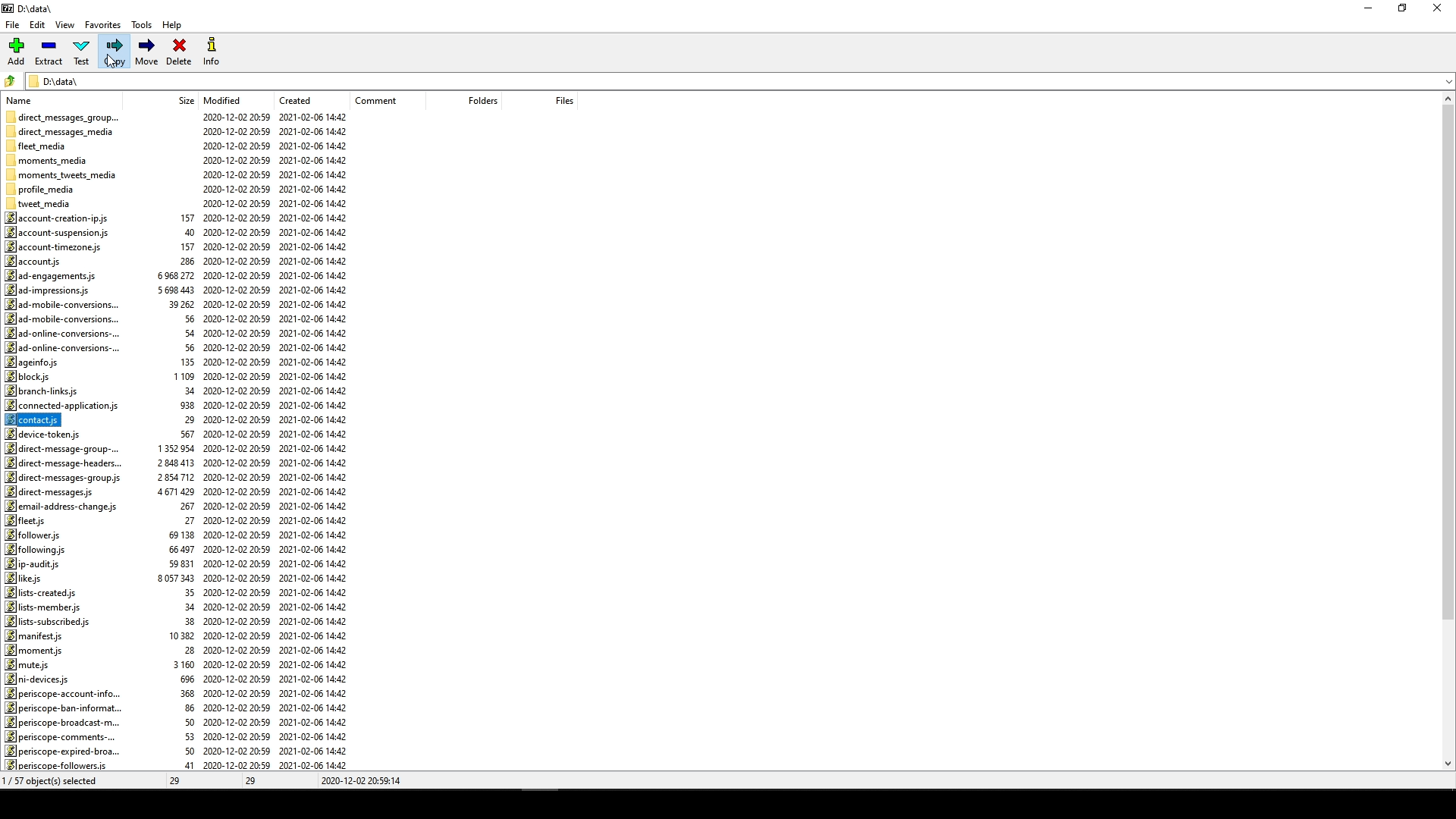 Image resolution: width=1456 pixels, height=819 pixels. I want to click on Extract, so click(51, 52).